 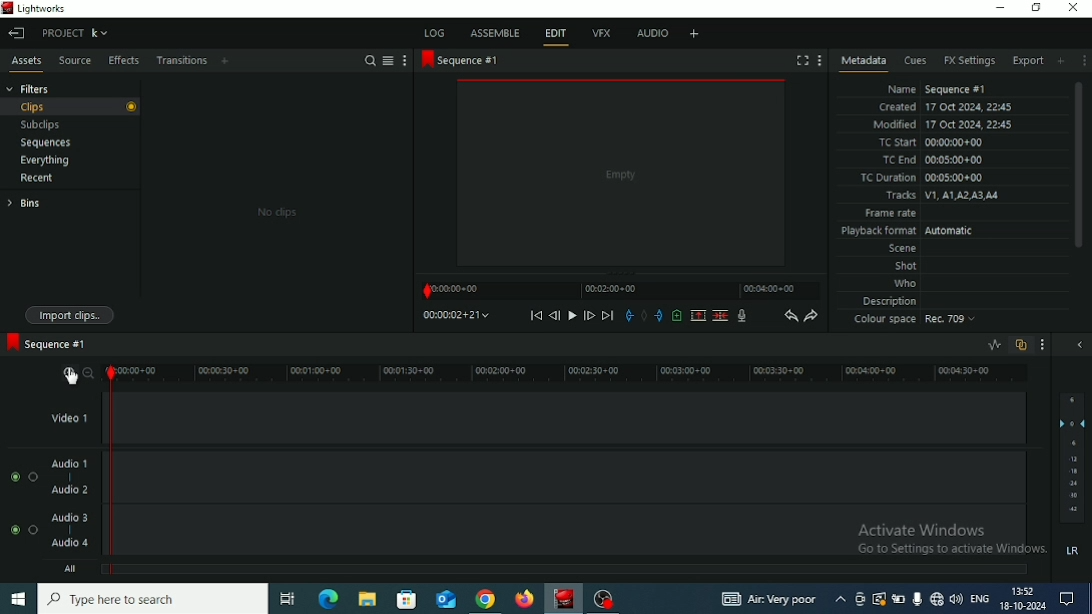 What do you see at coordinates (42, 8) in the screenshot?
I see `Lightworks` at bounding box center [42, 8].